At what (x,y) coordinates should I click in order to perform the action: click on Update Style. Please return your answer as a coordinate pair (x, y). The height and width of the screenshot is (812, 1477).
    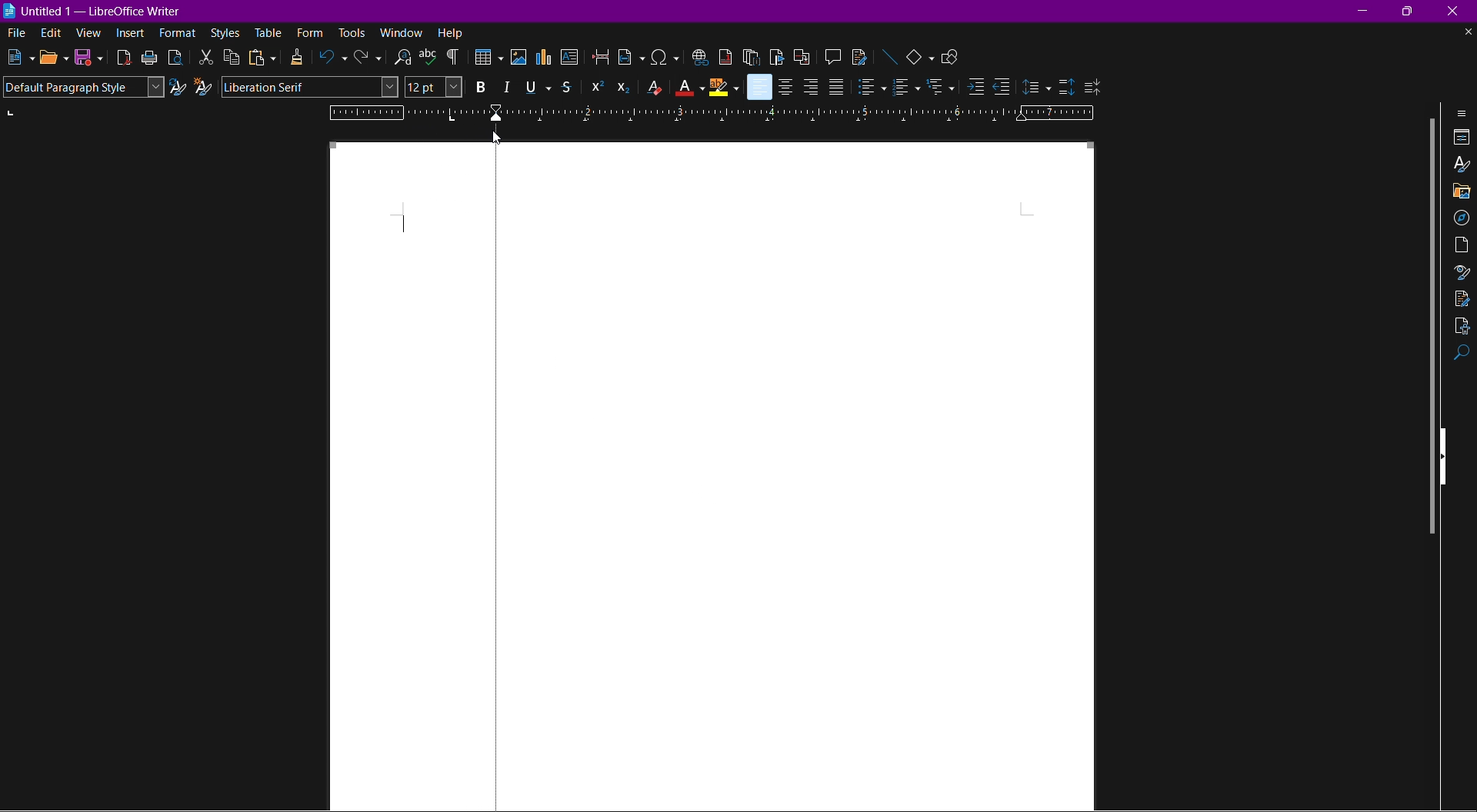
    Looking at the image, I should click on (178, 88).